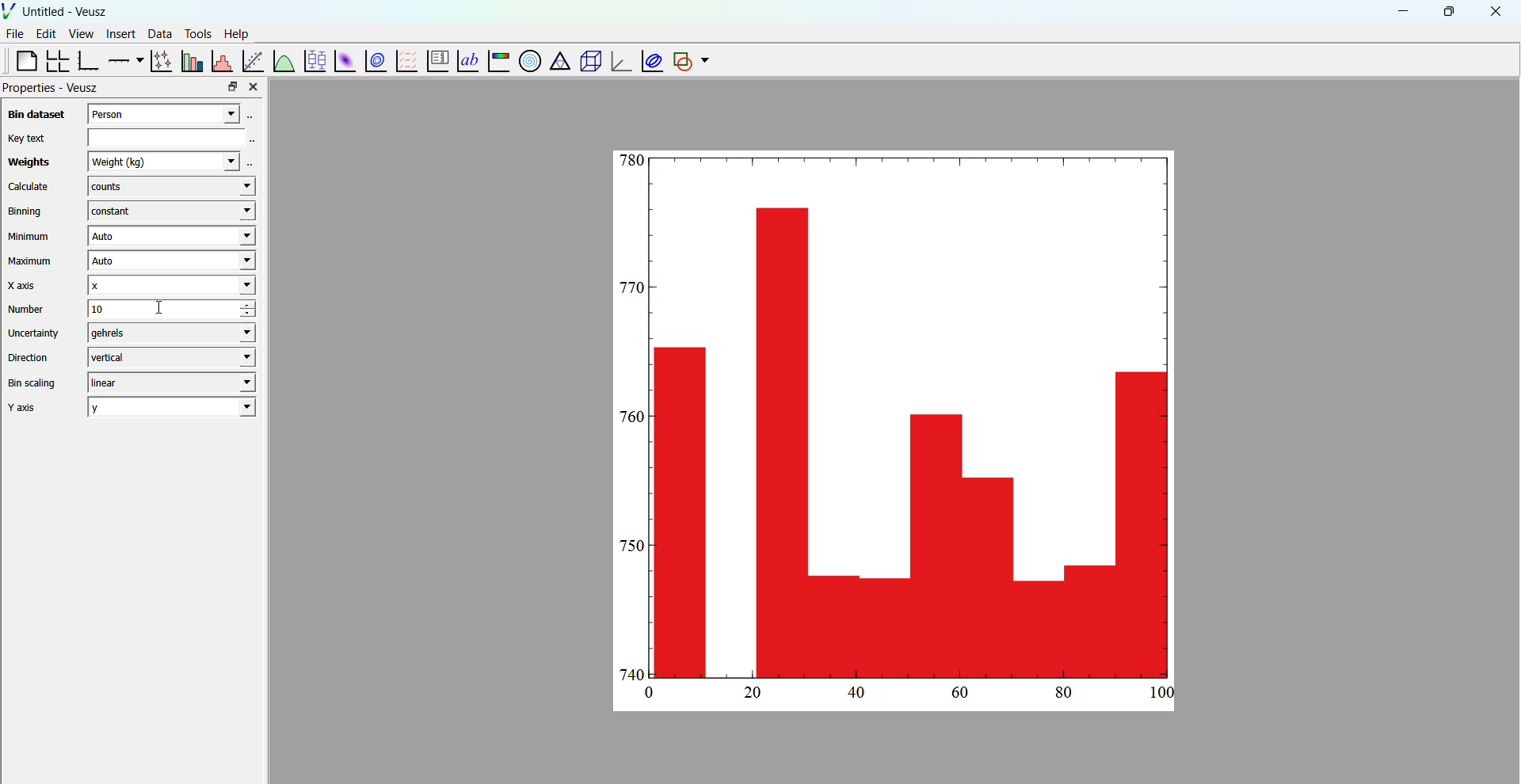  What do you see at coordinates (171, 161) in the screenshot?
I see `"Weights (kg)" data selected` at bounding box center [171, 161].